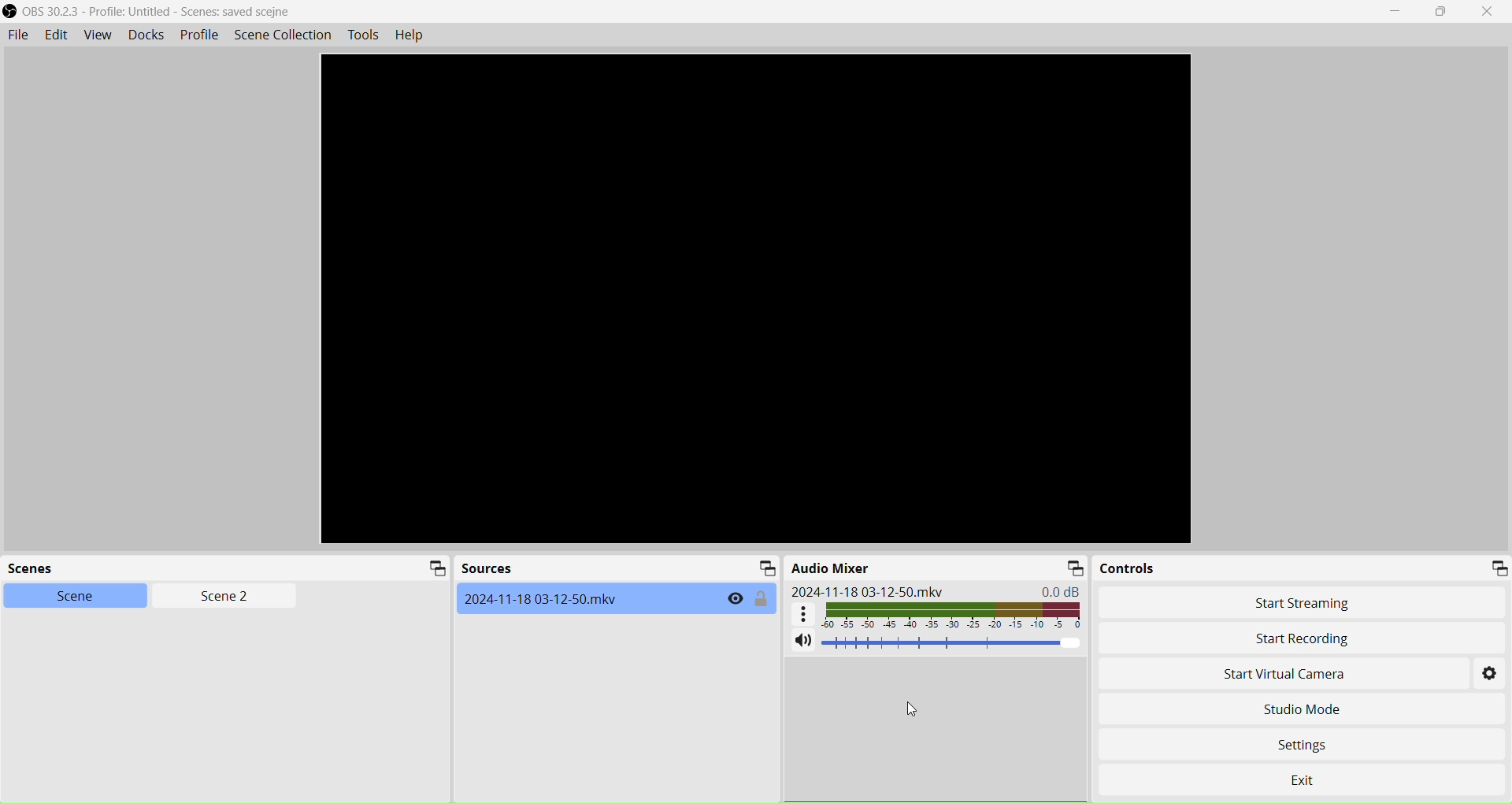  Describe the element at coordinates (755, 299) in the screenshot. I see `Video preview` at that location.